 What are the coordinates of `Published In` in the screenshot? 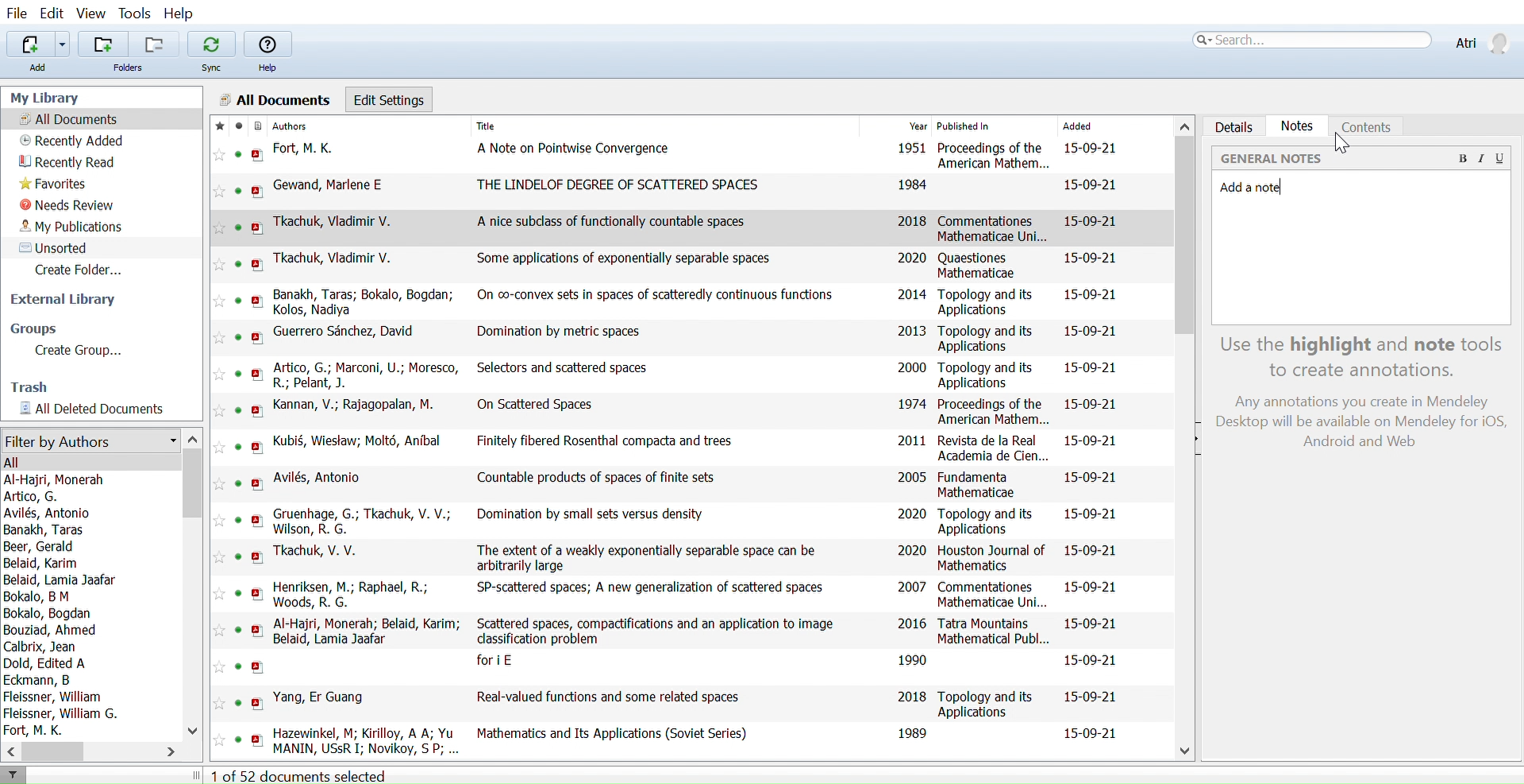 It's located at (964, 126).